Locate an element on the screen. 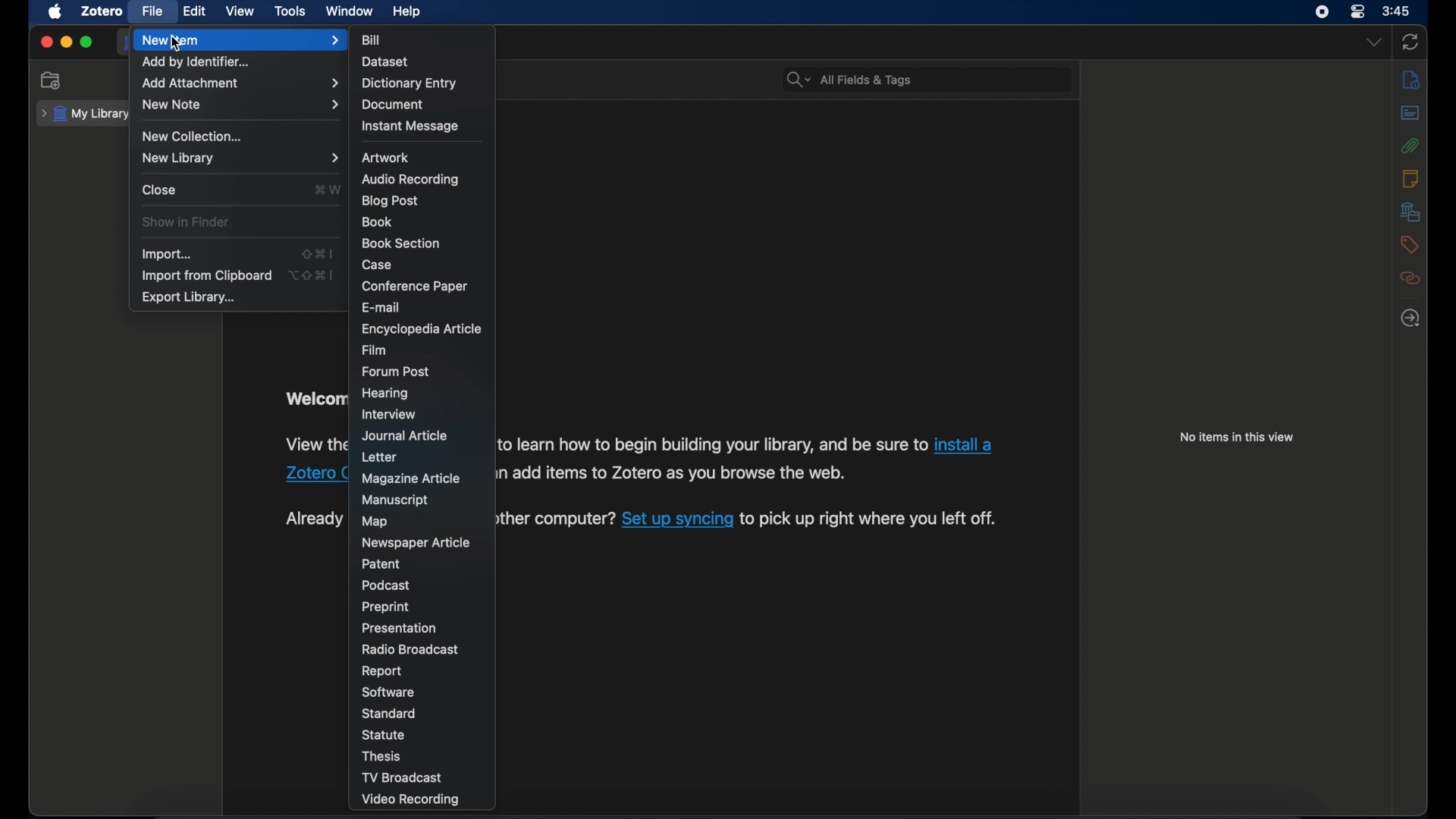 This screenshot has width=1456, height=819. locate is located at coordinates (1409, 318).